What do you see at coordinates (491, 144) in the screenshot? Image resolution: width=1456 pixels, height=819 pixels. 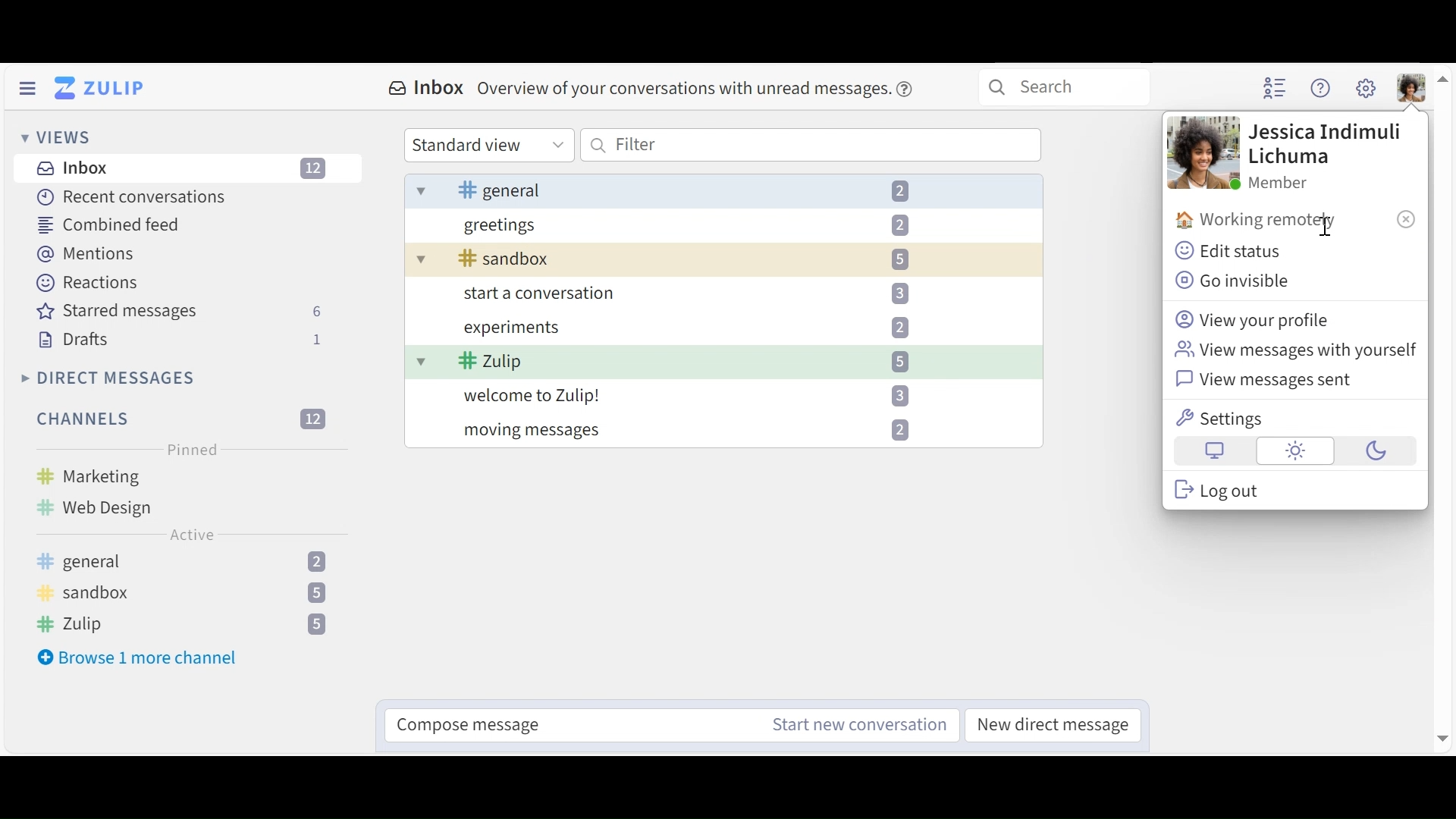 I see `Standard View` at bounding box center [491, 144].